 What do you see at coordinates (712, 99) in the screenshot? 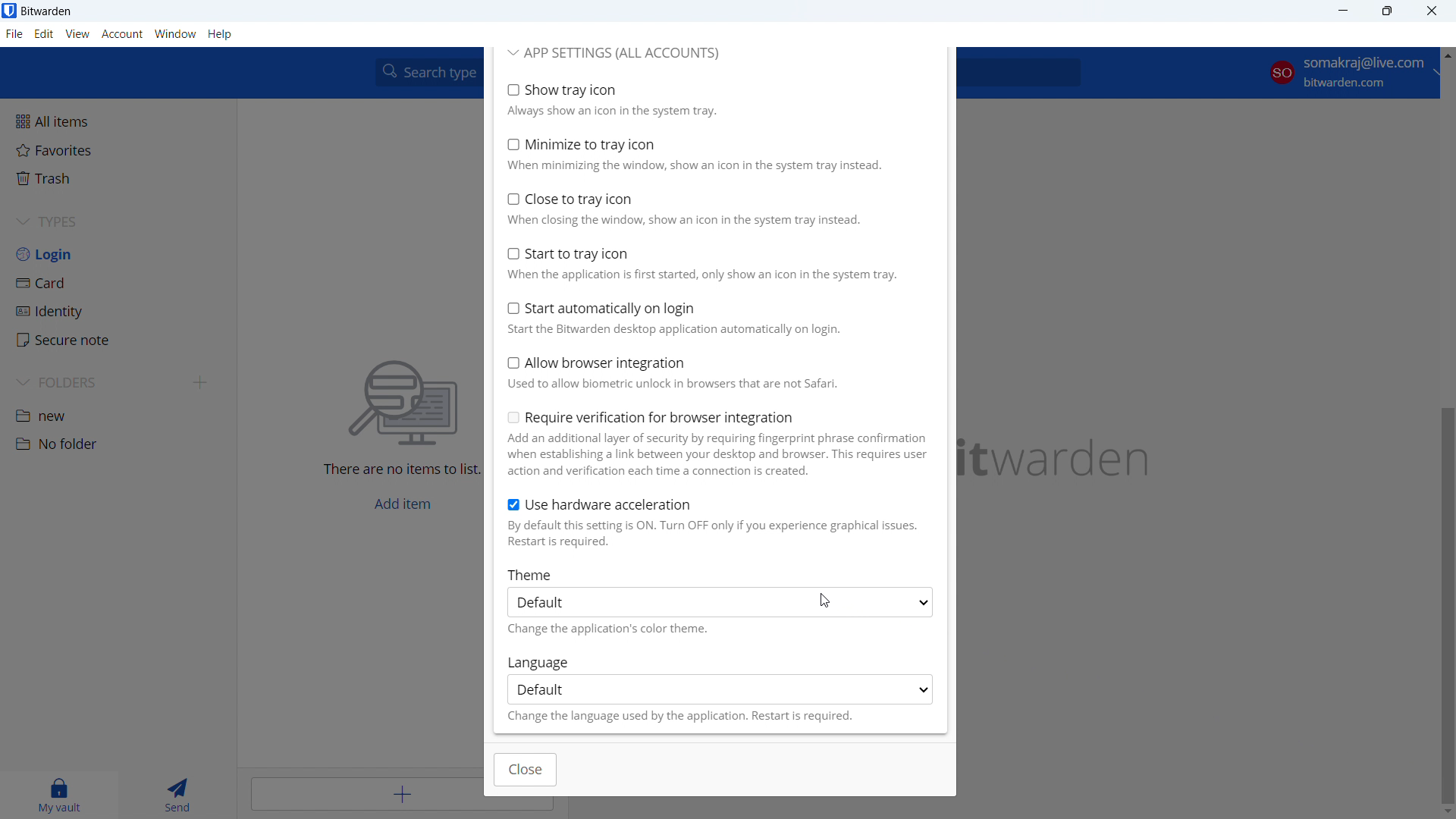
I see `show tray icon` at bounding box center [712, 99].